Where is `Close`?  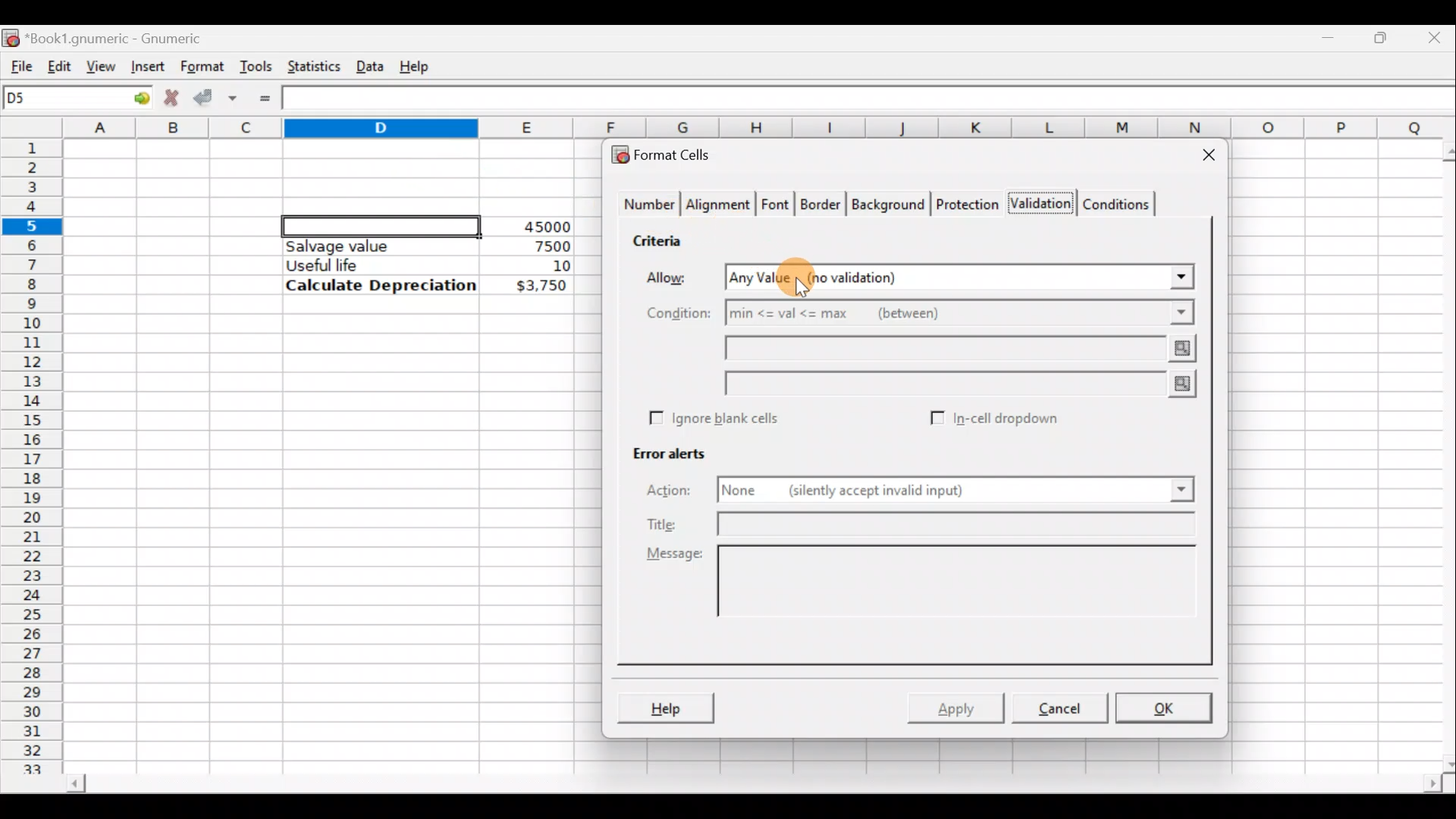
Close is located at coordinates (1437, 38).